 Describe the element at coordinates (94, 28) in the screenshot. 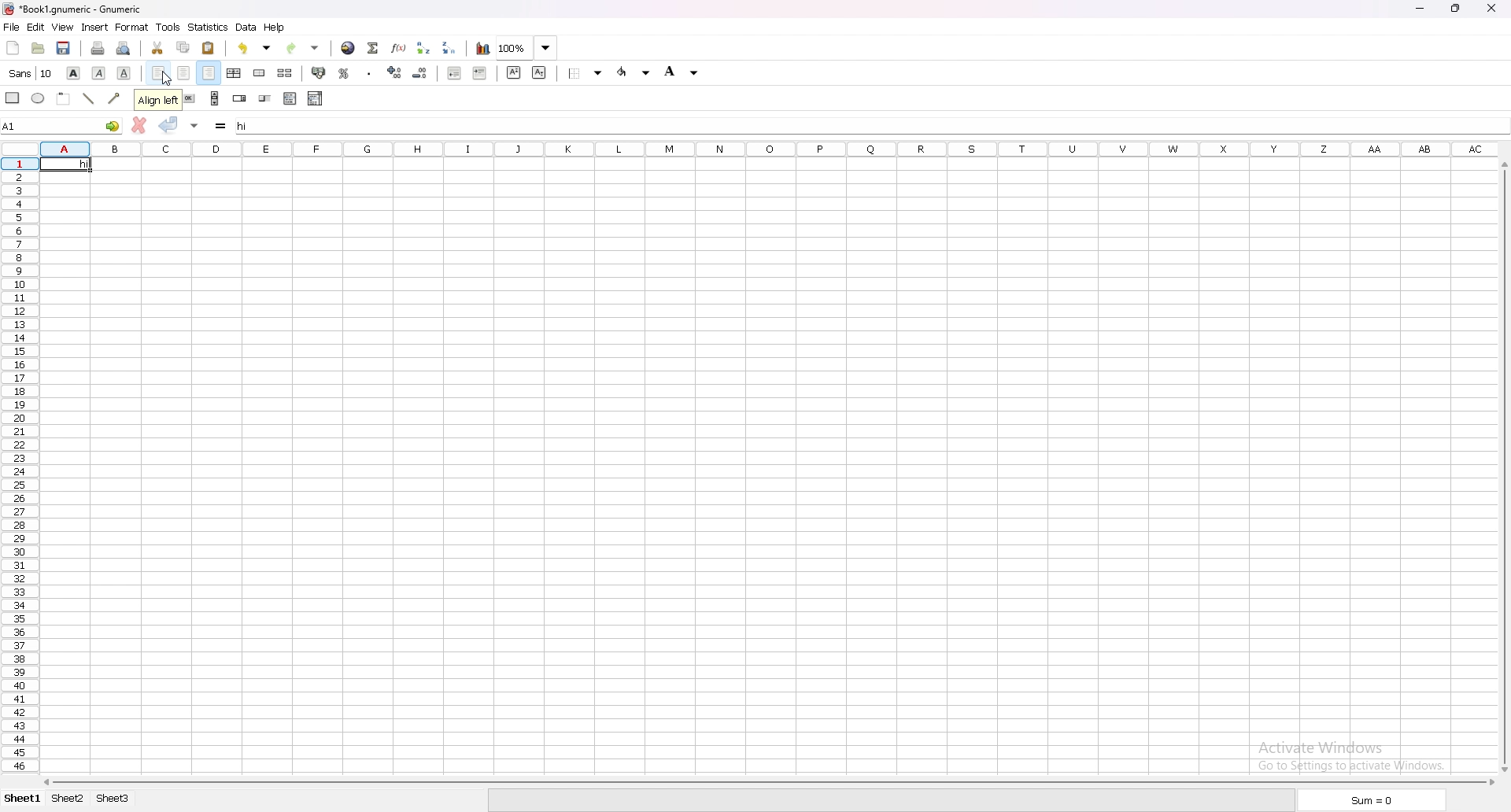

I see `insert` at that location.